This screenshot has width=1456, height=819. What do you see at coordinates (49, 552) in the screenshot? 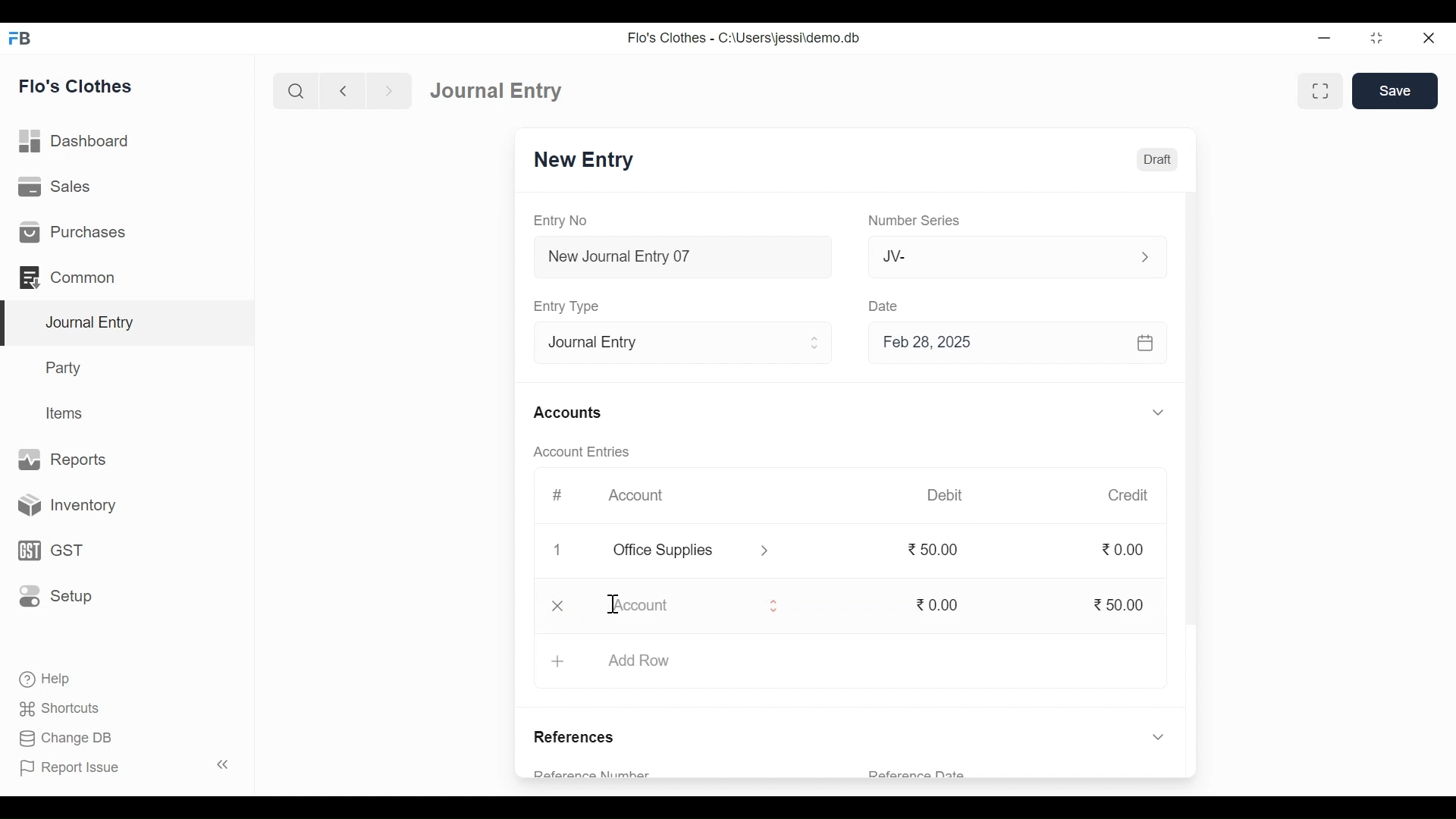
I see `GST` at bounding box center [49, 552].